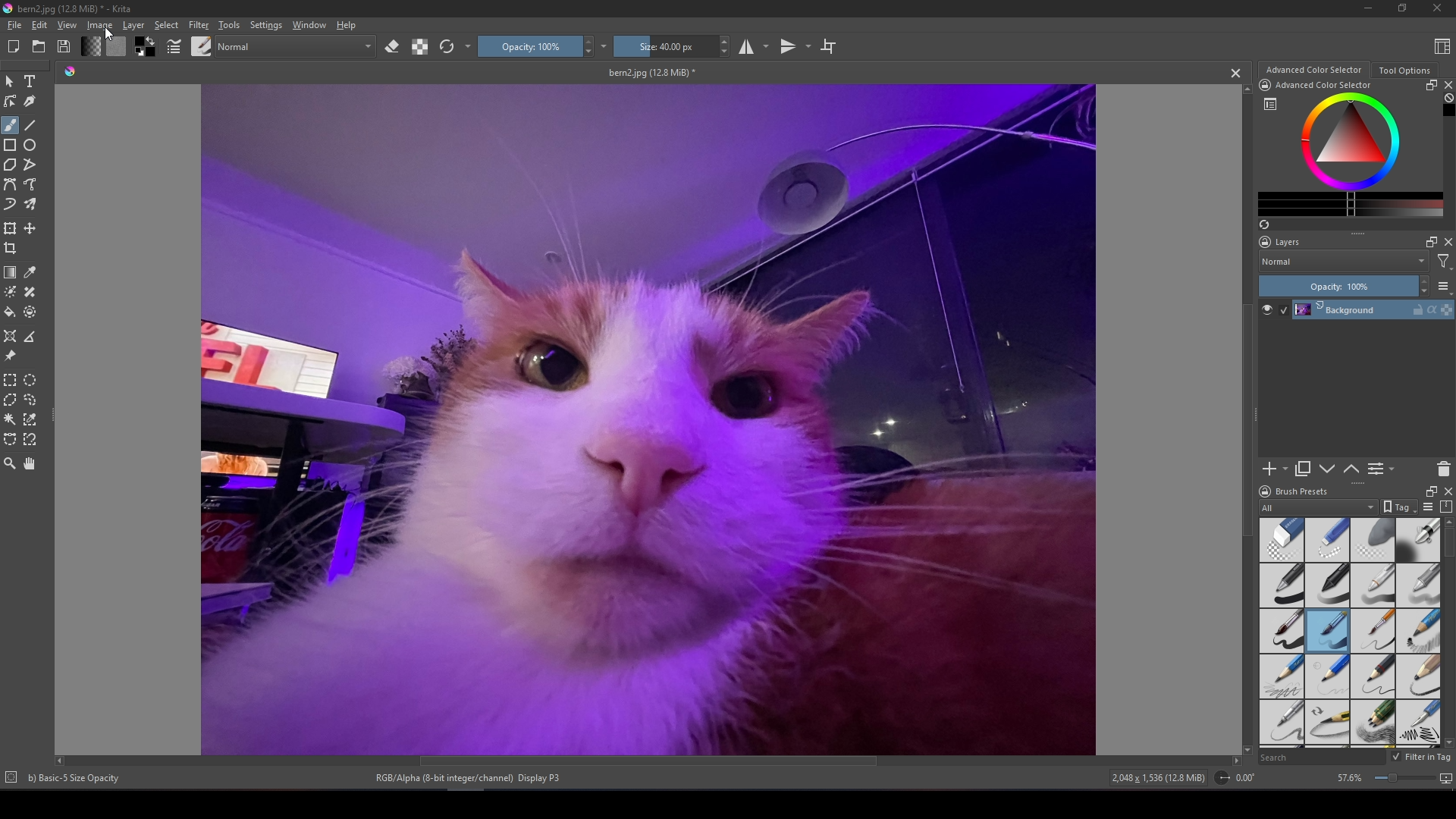 Image resolution: width=1456 pixels, height=819 pixels. What do you see at coordinates (1443, 262) in the screenshot?
I see `Filters` at bounding box center [1443, 262].